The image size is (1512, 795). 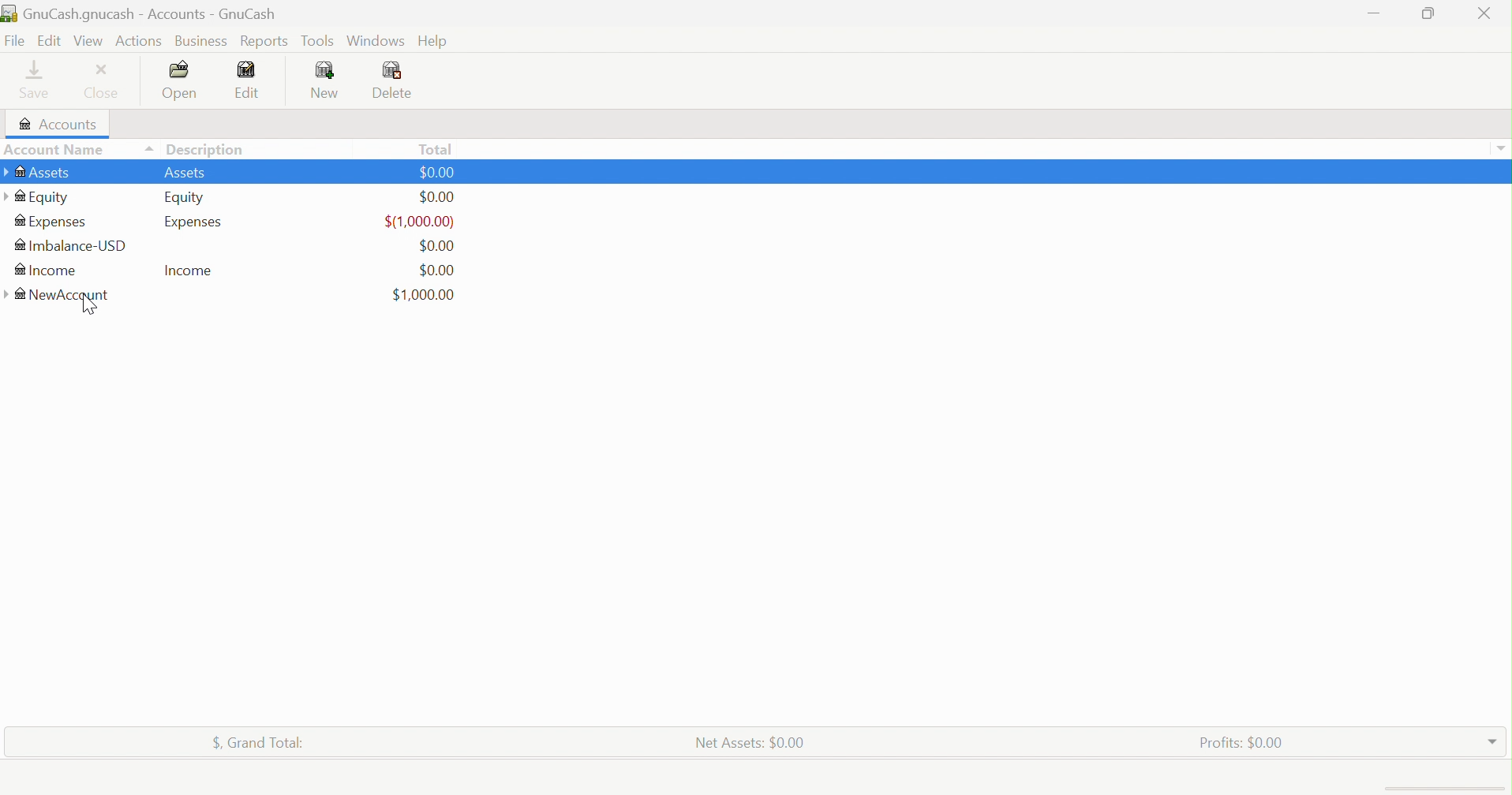 What do you see at coordinates (435, 147) in the screenshot?
I see `Total` at bounding box center [435, 147].